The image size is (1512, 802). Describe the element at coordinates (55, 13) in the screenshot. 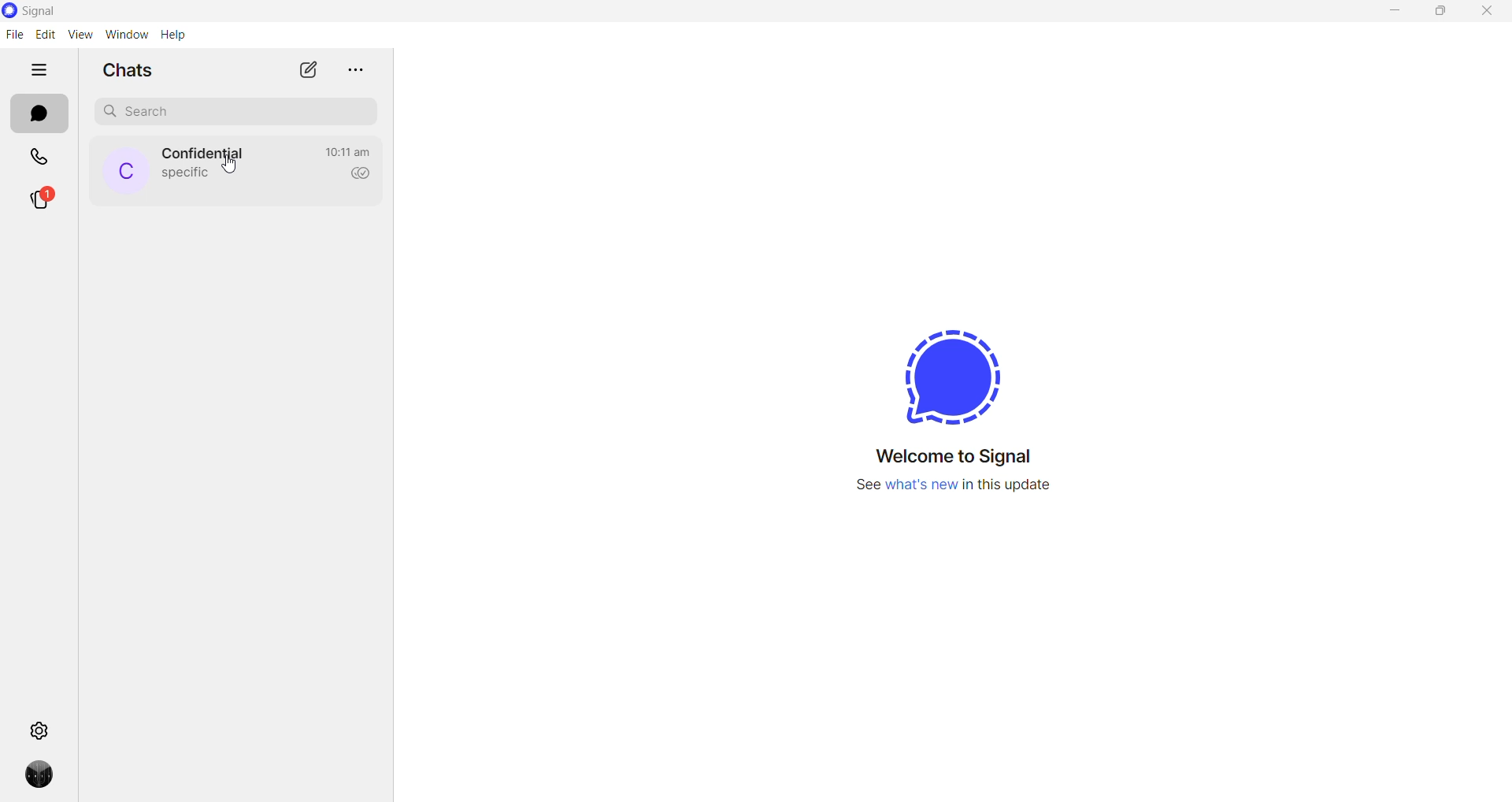

I see `signal logo` at that location.